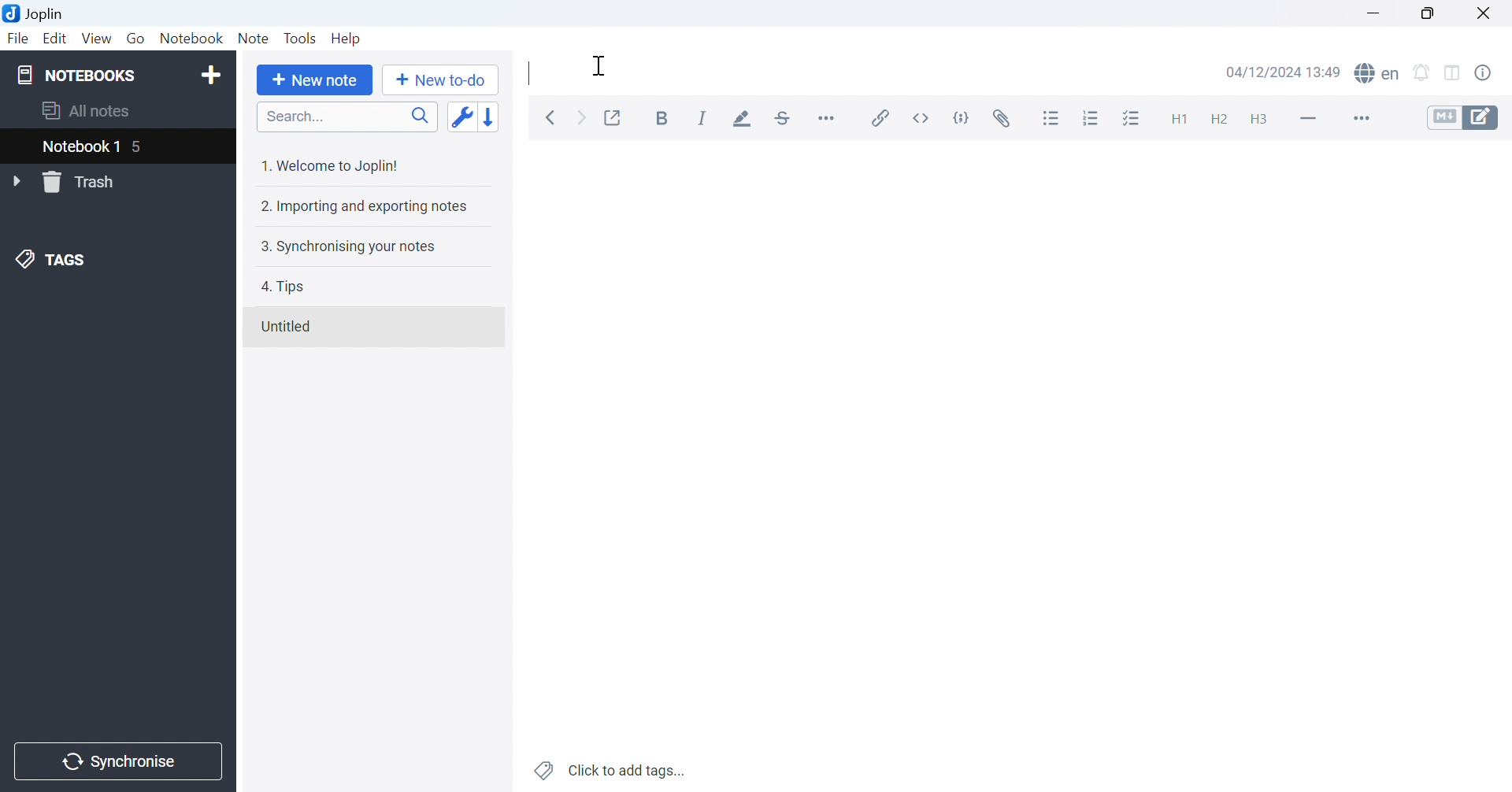 The width and height of the screenshot is (1512, 792). What do you see at coordinates (76, 73) in the screenshot?
I see `NOTEBOOKS` at bounding box center [76, 73].